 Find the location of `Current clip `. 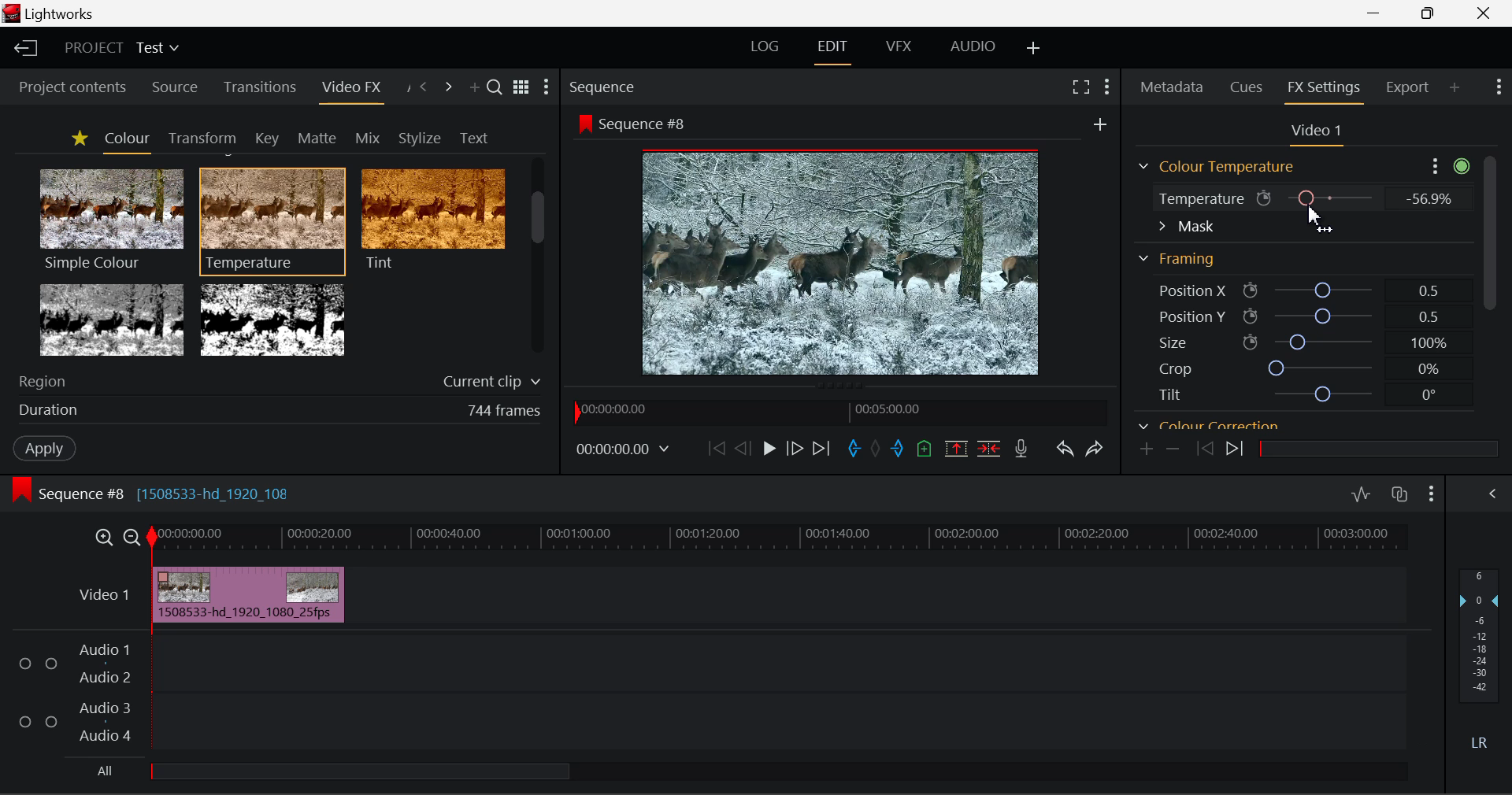

Current clip  is located at coordinates (489, 383).